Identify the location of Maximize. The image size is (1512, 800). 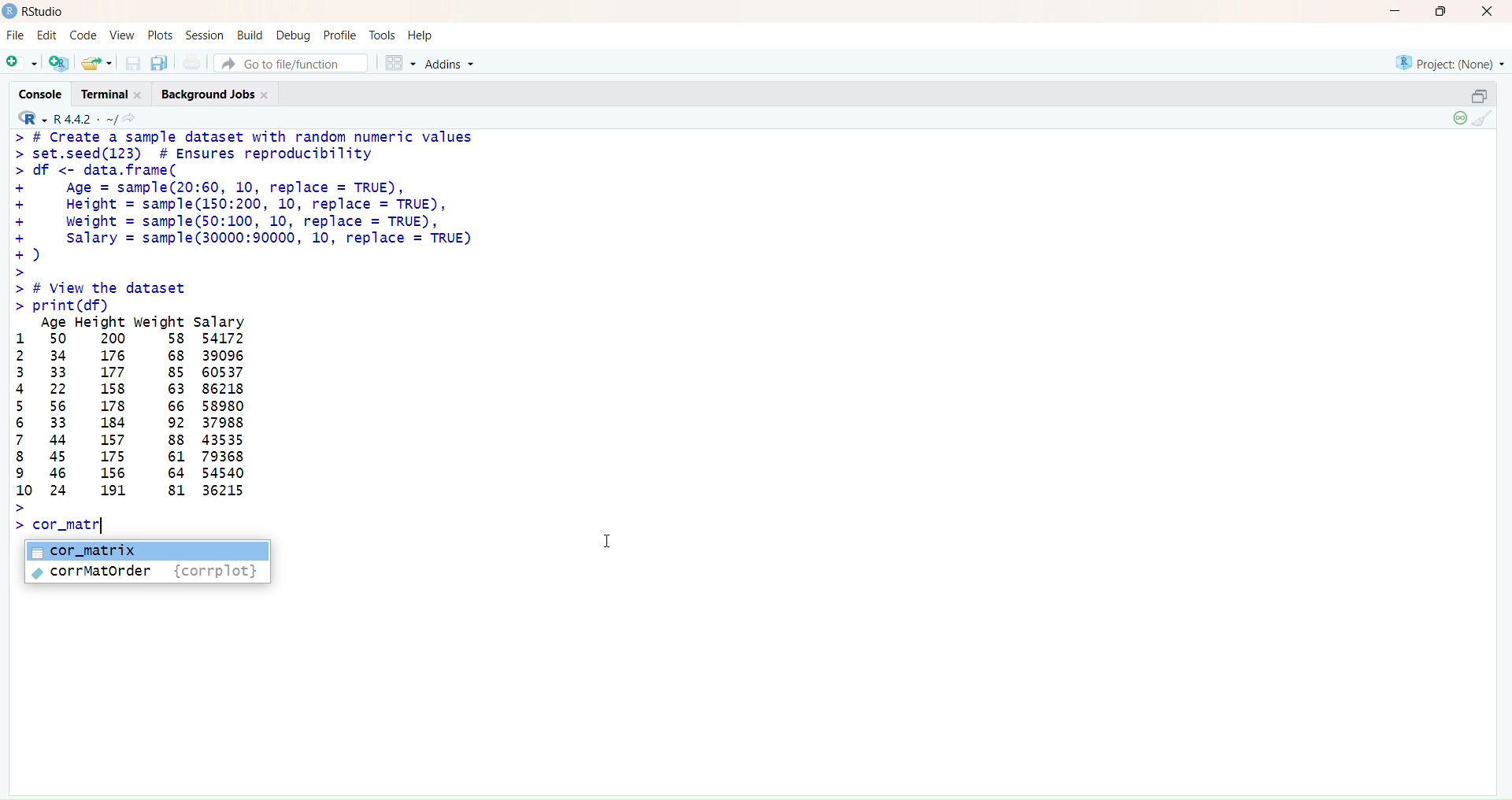
(1441, 12).